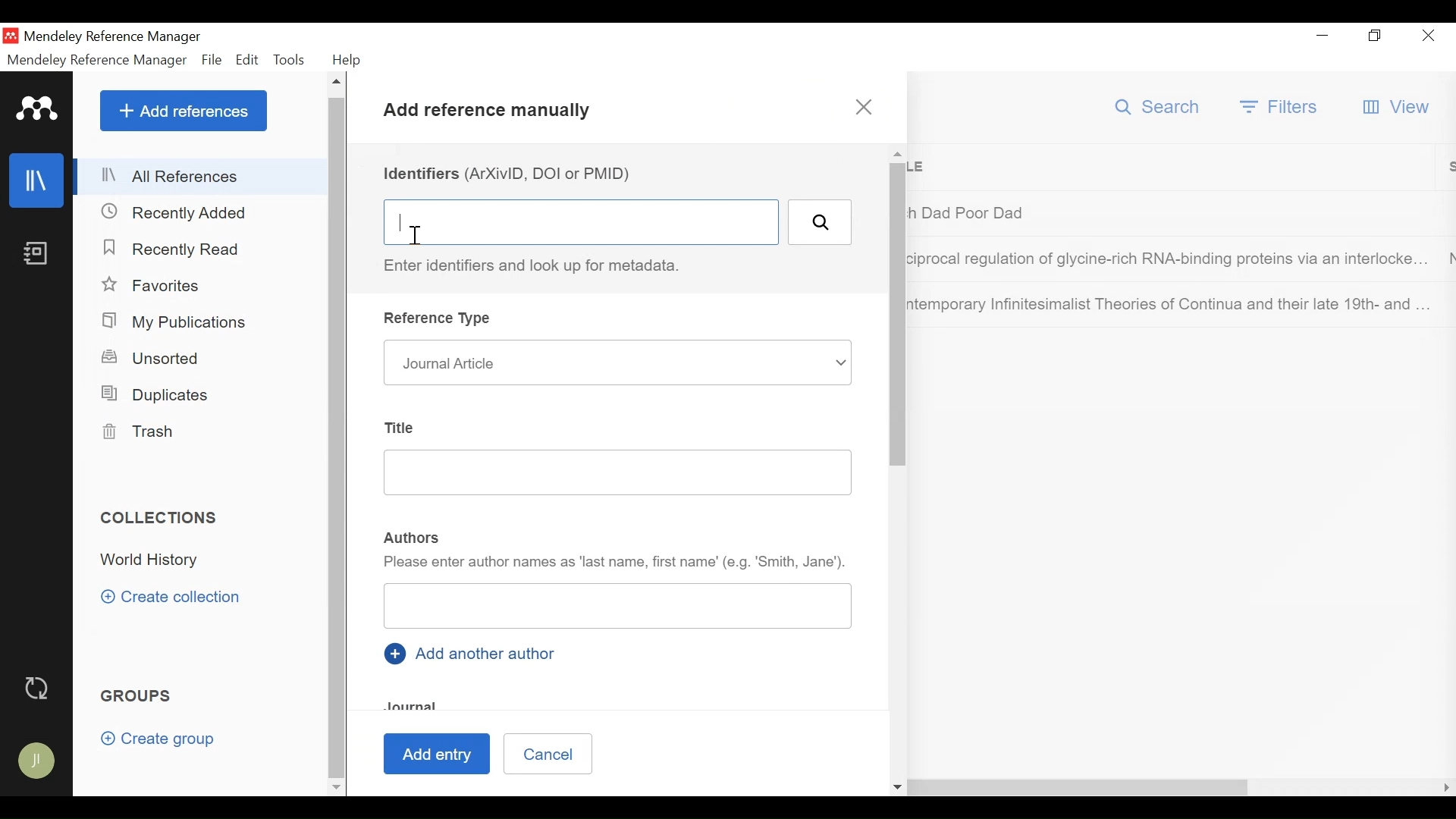  Describe the element at coordinates (212, 59) in the screenshot. I see `File` at that location.